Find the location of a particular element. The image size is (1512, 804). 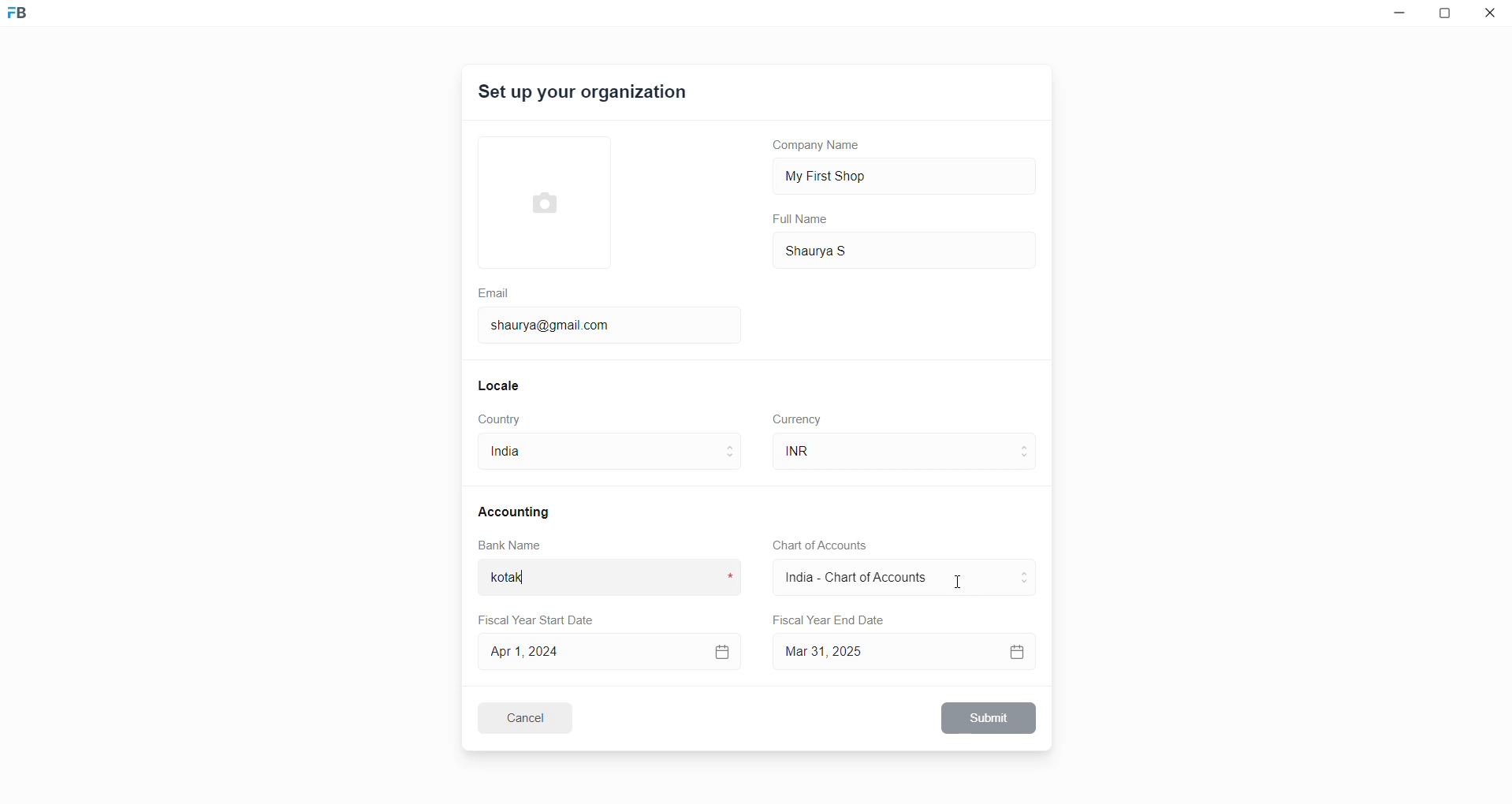

close is located at coordinates (1491, 16).